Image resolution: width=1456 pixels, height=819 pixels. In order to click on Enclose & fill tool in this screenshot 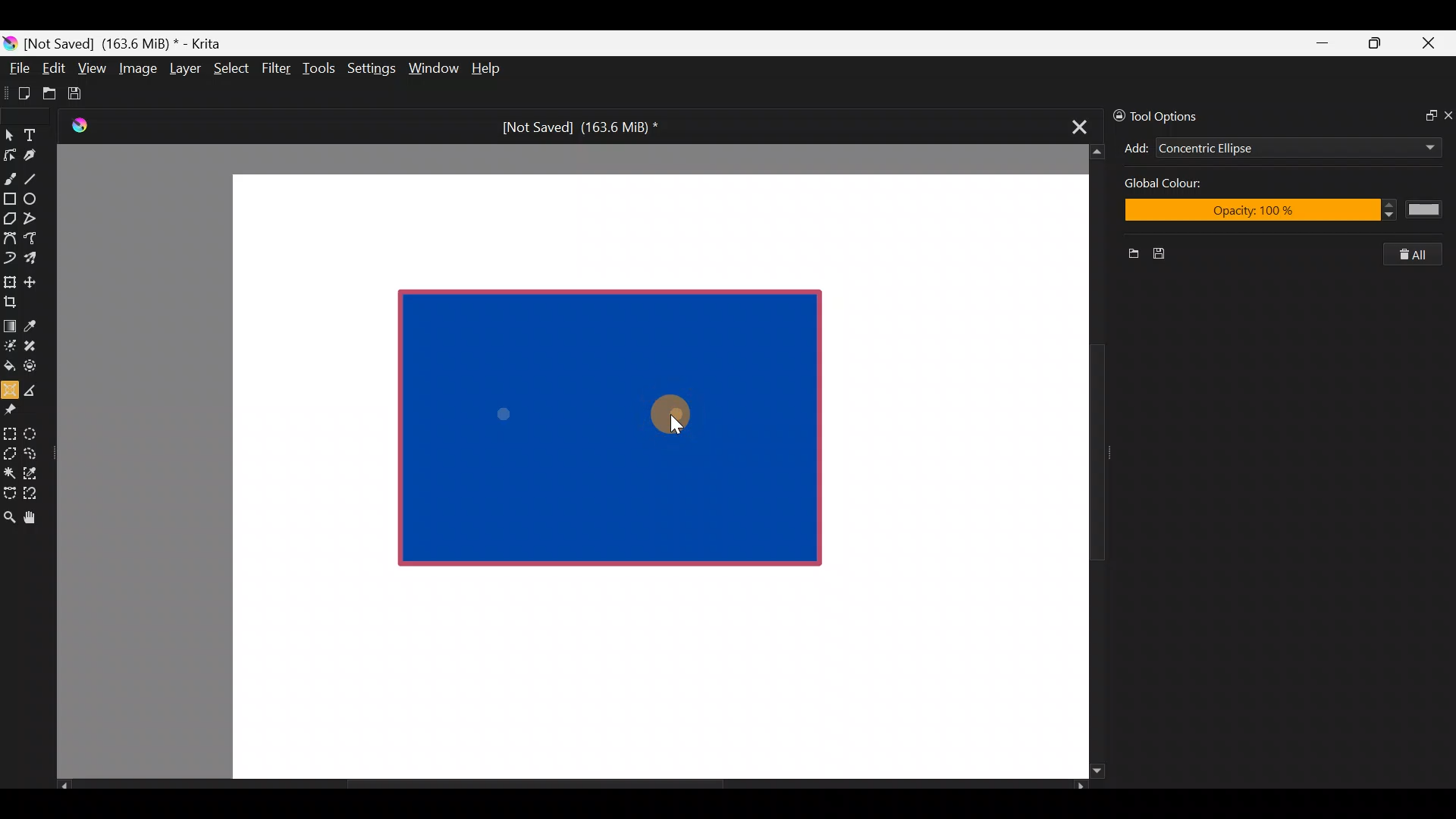, I will do `click(33, 363)`.